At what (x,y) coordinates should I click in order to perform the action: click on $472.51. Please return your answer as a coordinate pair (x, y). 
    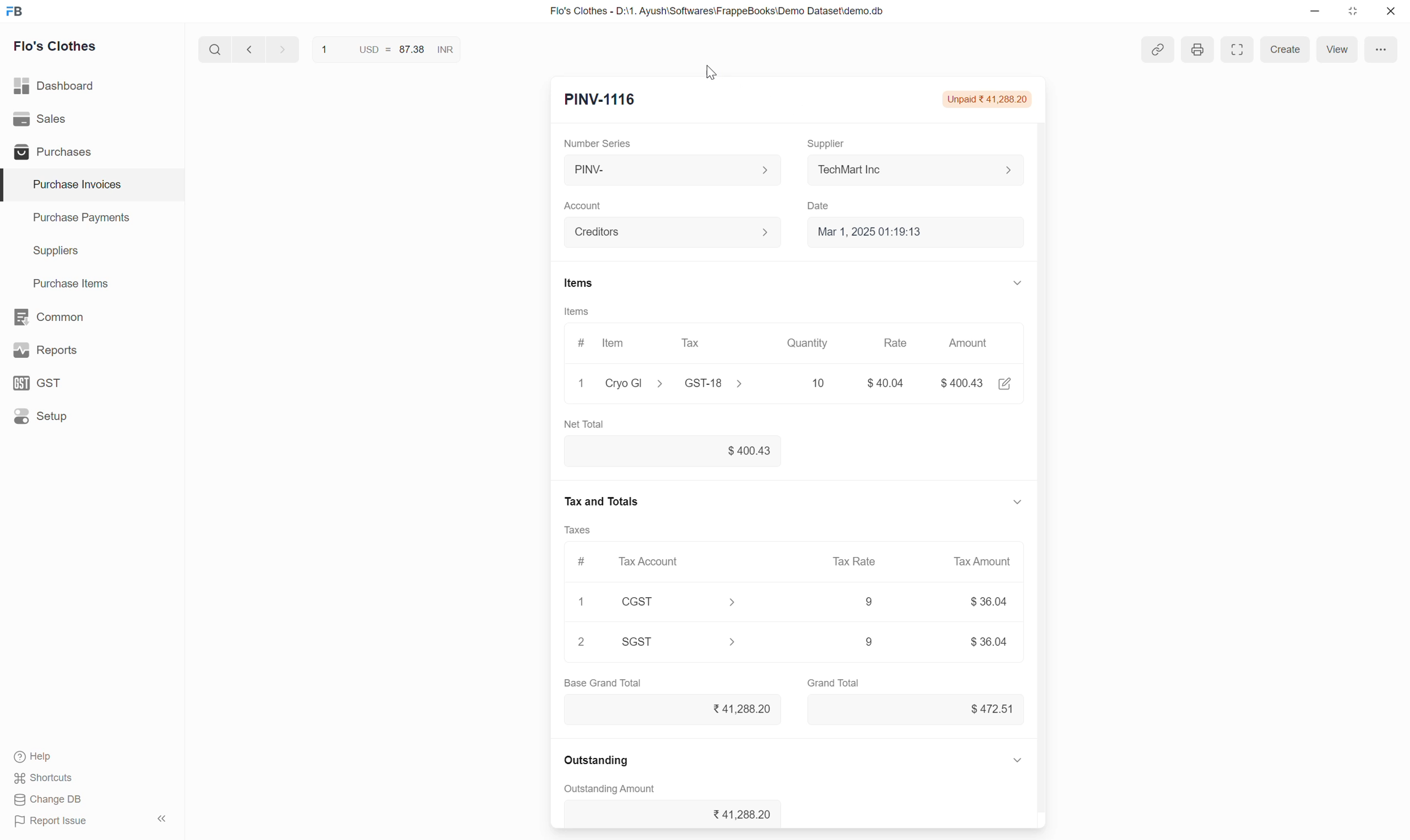
    Looking at the image, I should click on (990, 708).